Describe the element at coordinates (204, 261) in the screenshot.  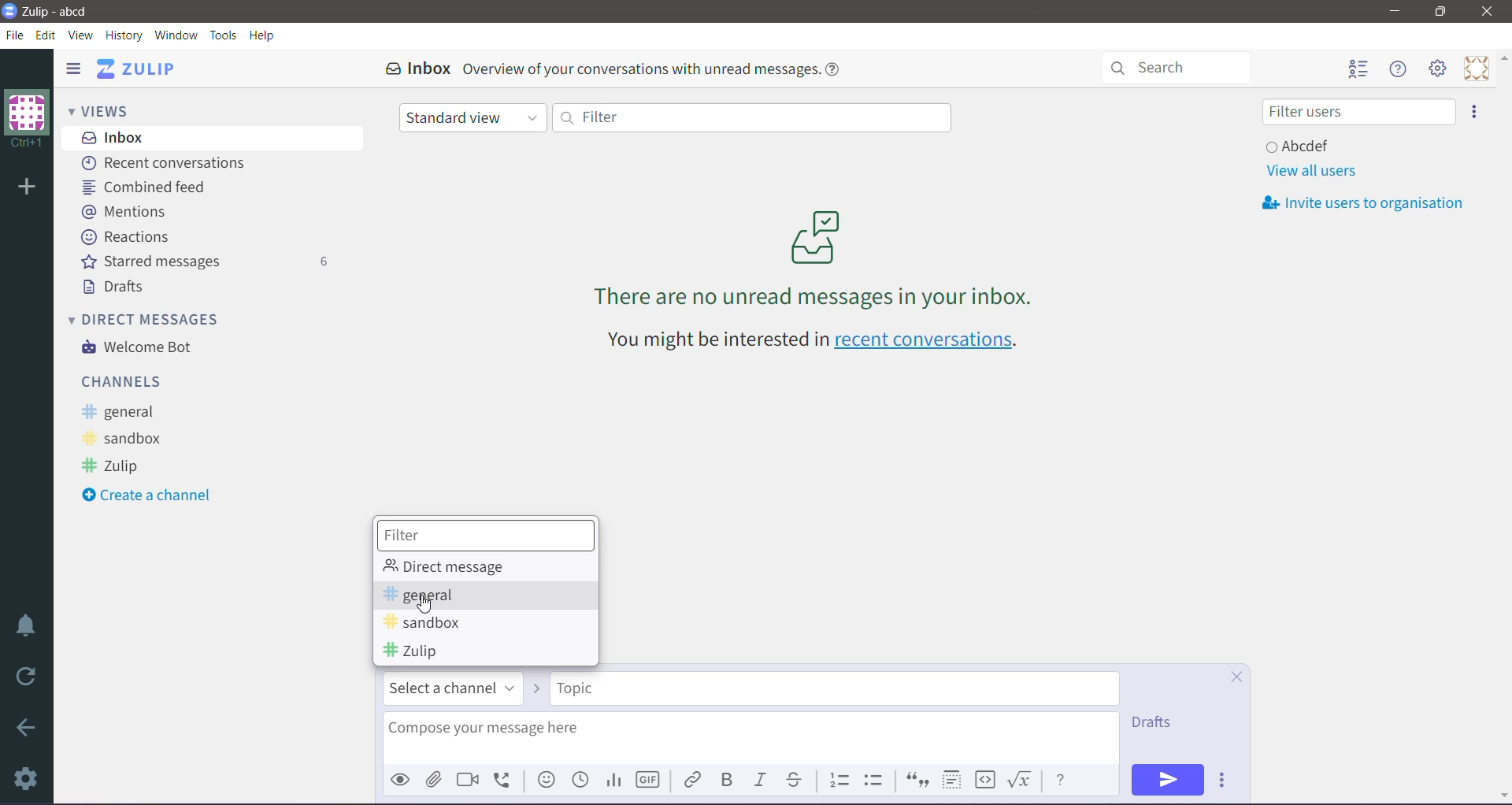
I see `Starred messages` at that location.